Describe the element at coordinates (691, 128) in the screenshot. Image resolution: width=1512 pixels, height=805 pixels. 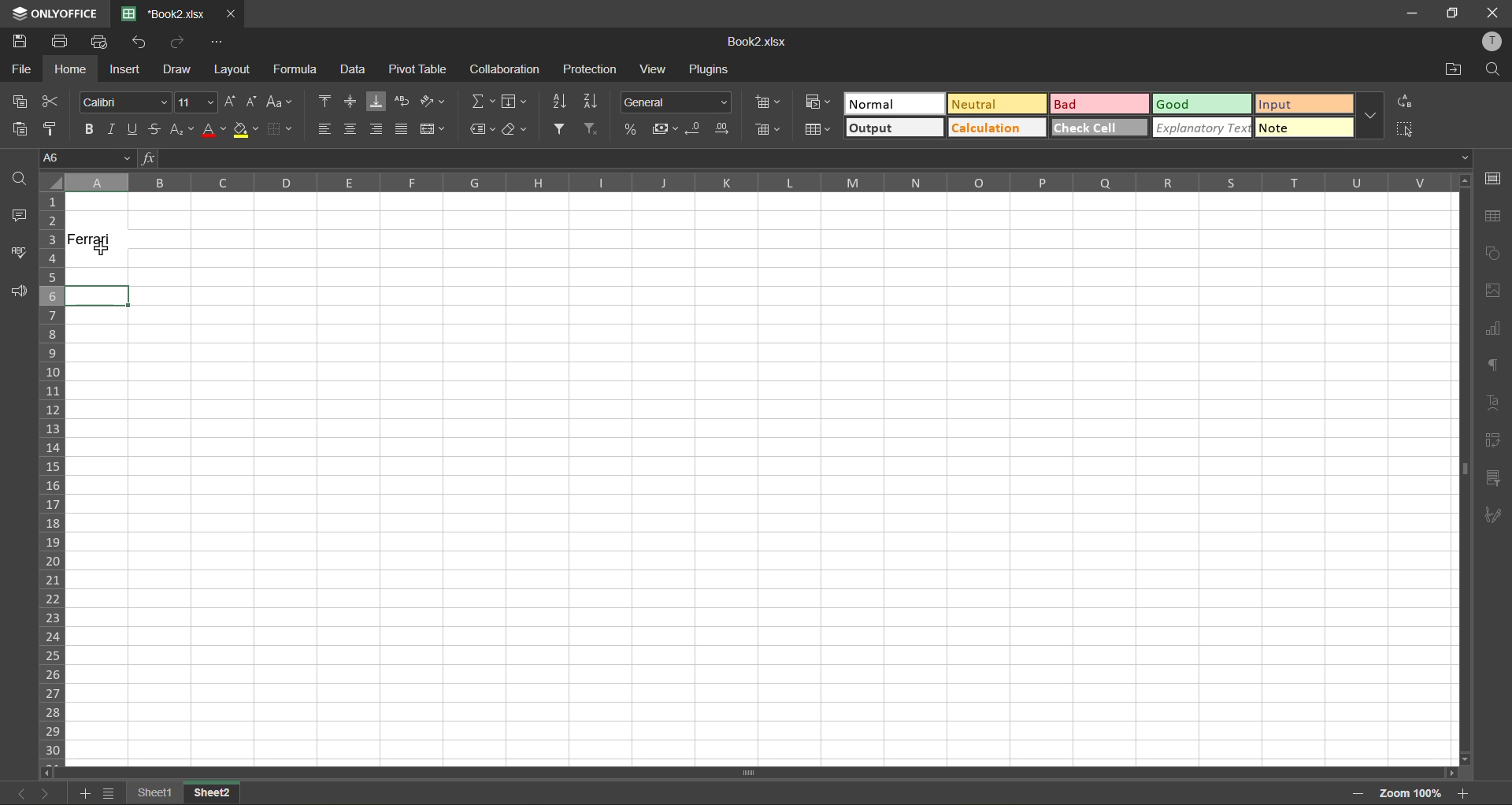
I see `decrease decimal` at that location.